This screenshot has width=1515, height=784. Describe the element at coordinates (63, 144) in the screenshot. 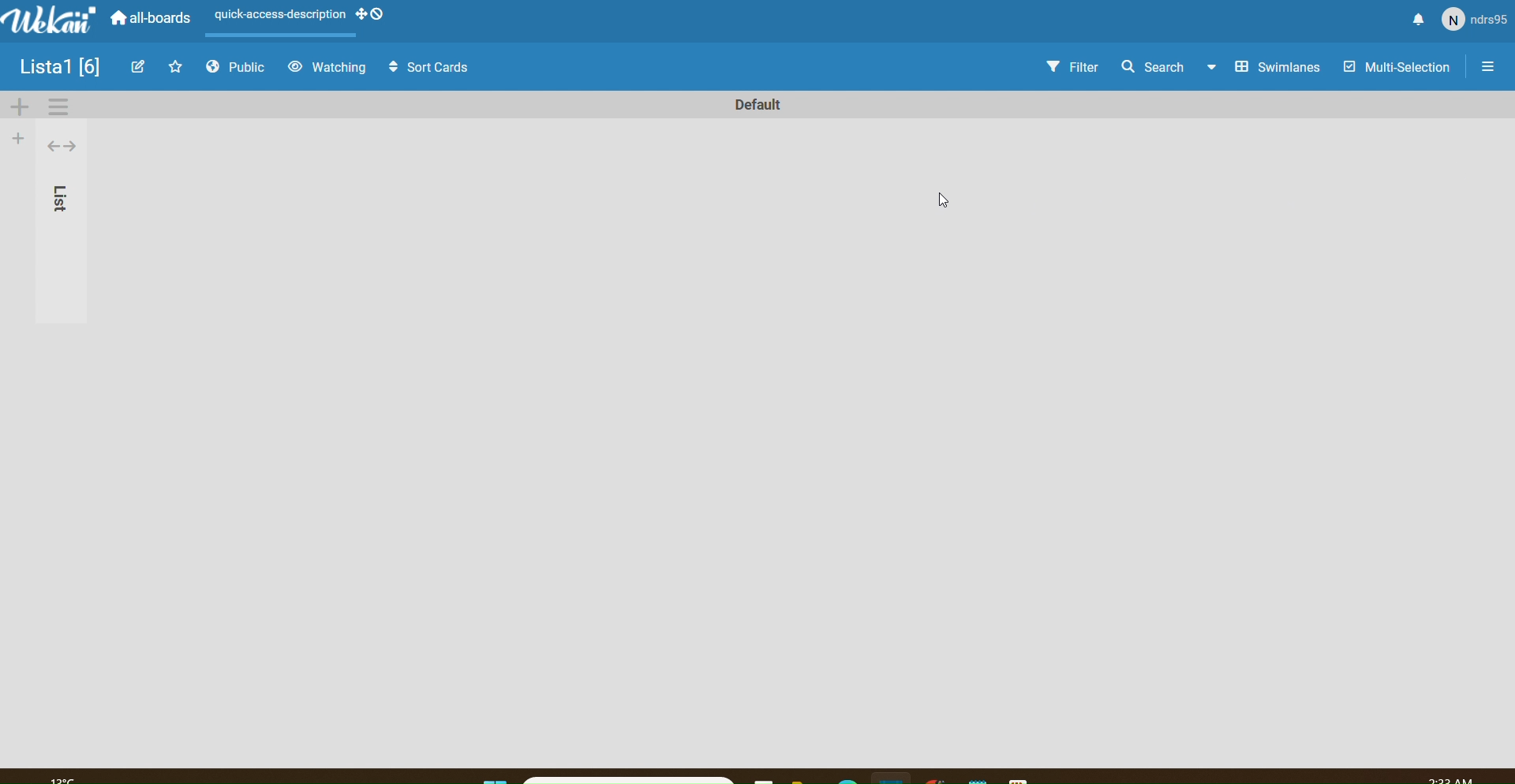

I see `toggle` at that location.